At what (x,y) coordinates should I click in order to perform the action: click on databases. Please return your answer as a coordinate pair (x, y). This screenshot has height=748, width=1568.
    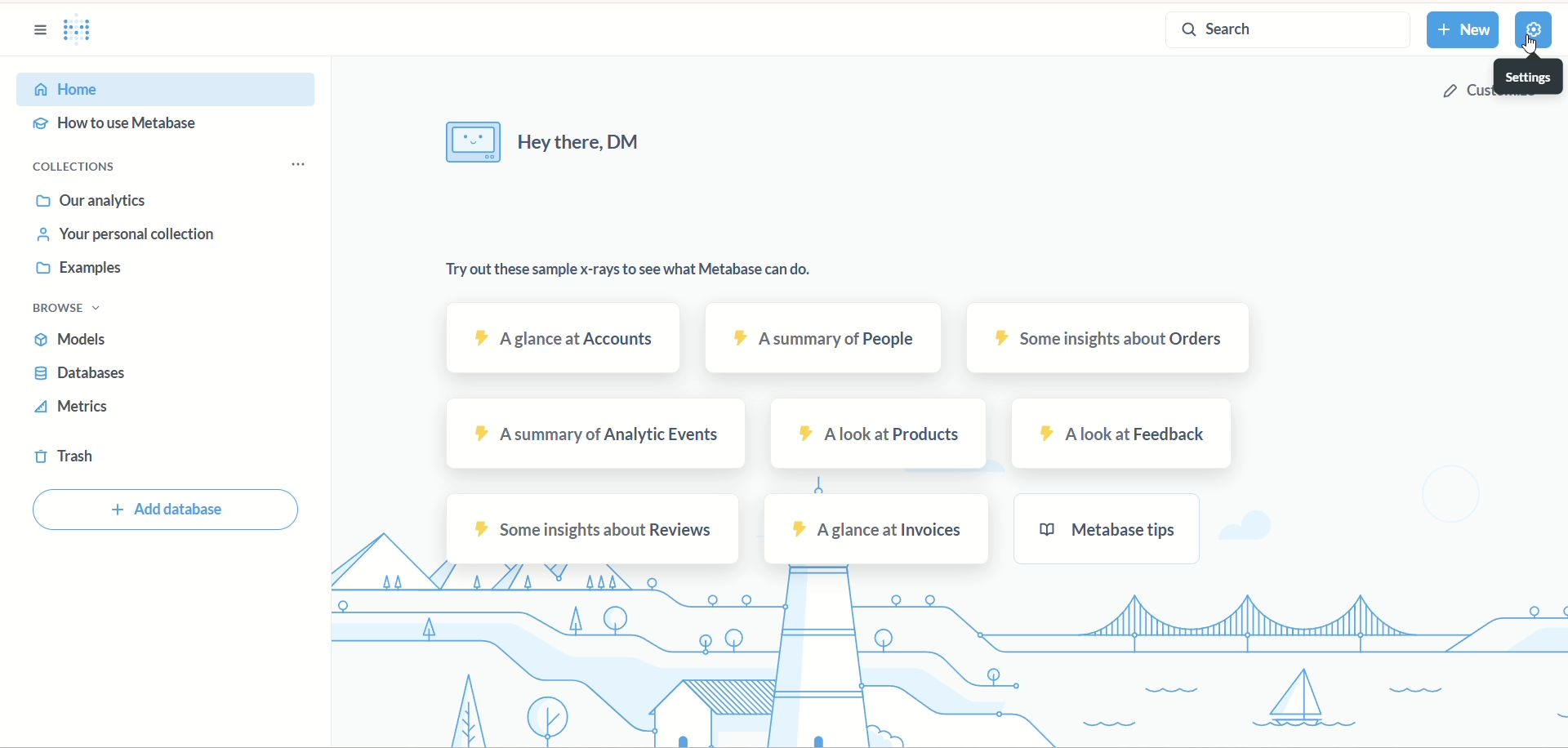
    Looking at the image, I should click on (91, 375).